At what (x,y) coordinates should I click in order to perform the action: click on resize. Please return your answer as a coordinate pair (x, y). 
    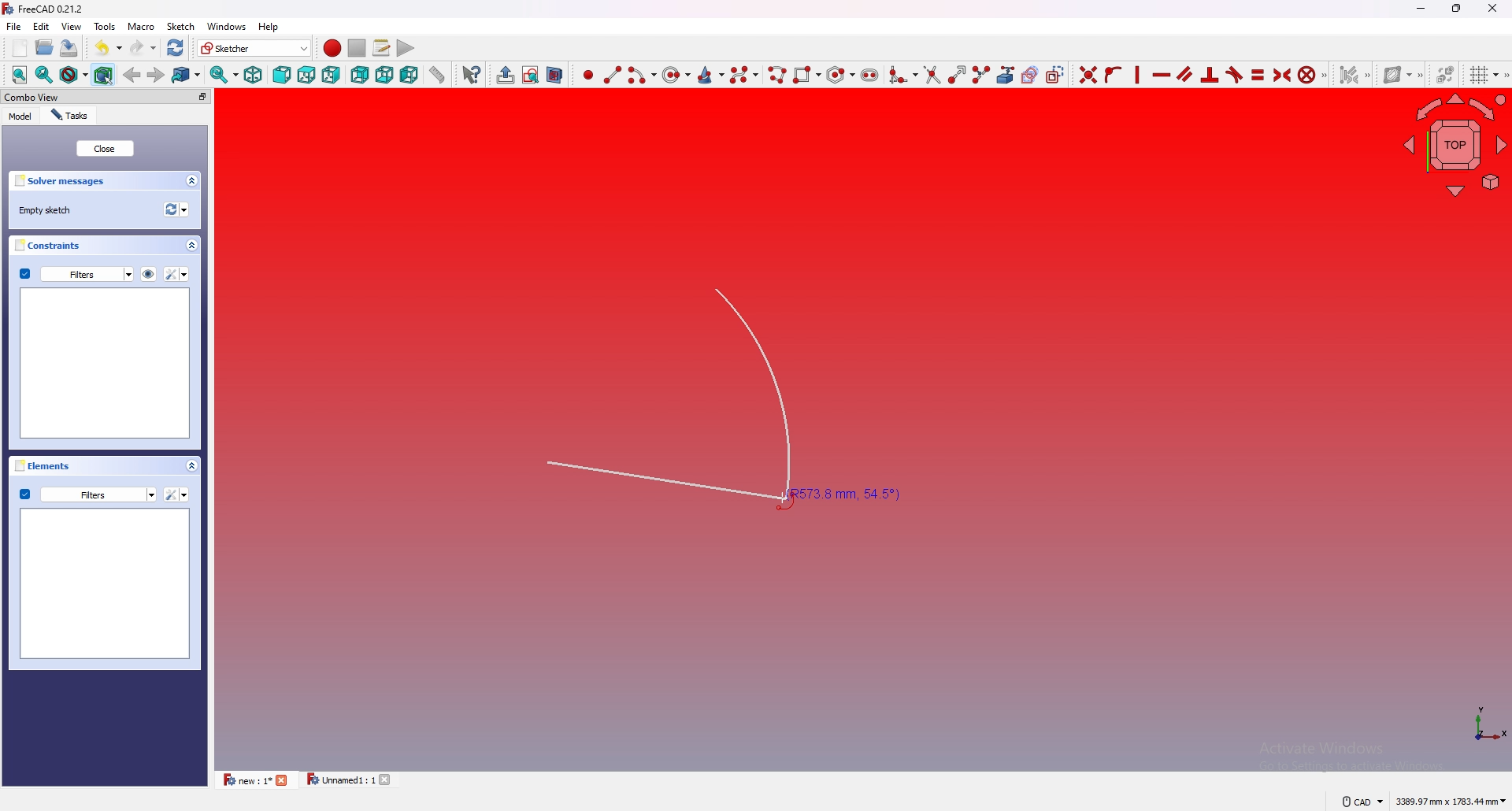
    Looking at the image, I should click on (1458, 8).